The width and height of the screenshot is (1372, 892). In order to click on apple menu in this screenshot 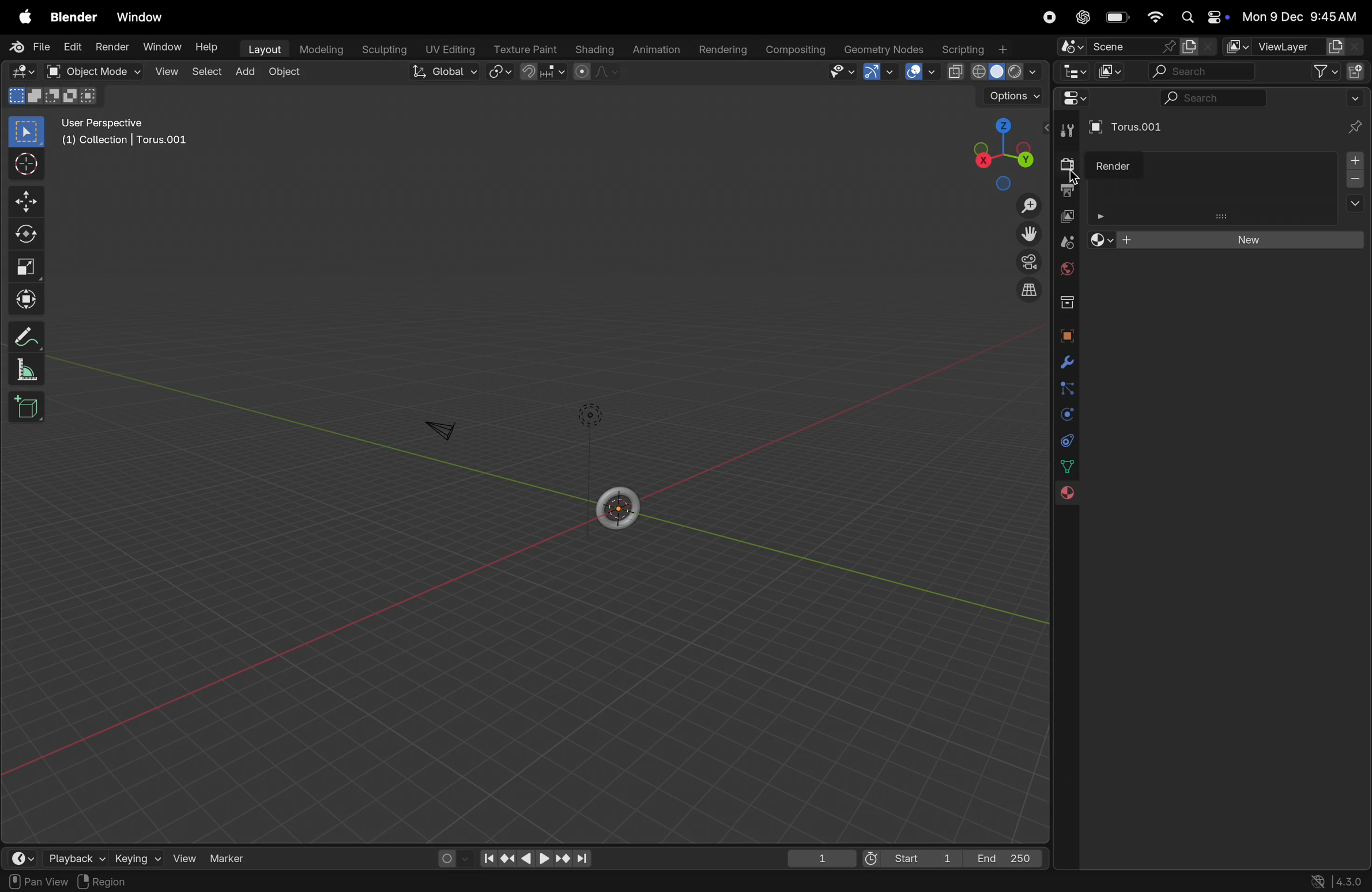, I will do `click(22, 16)`.